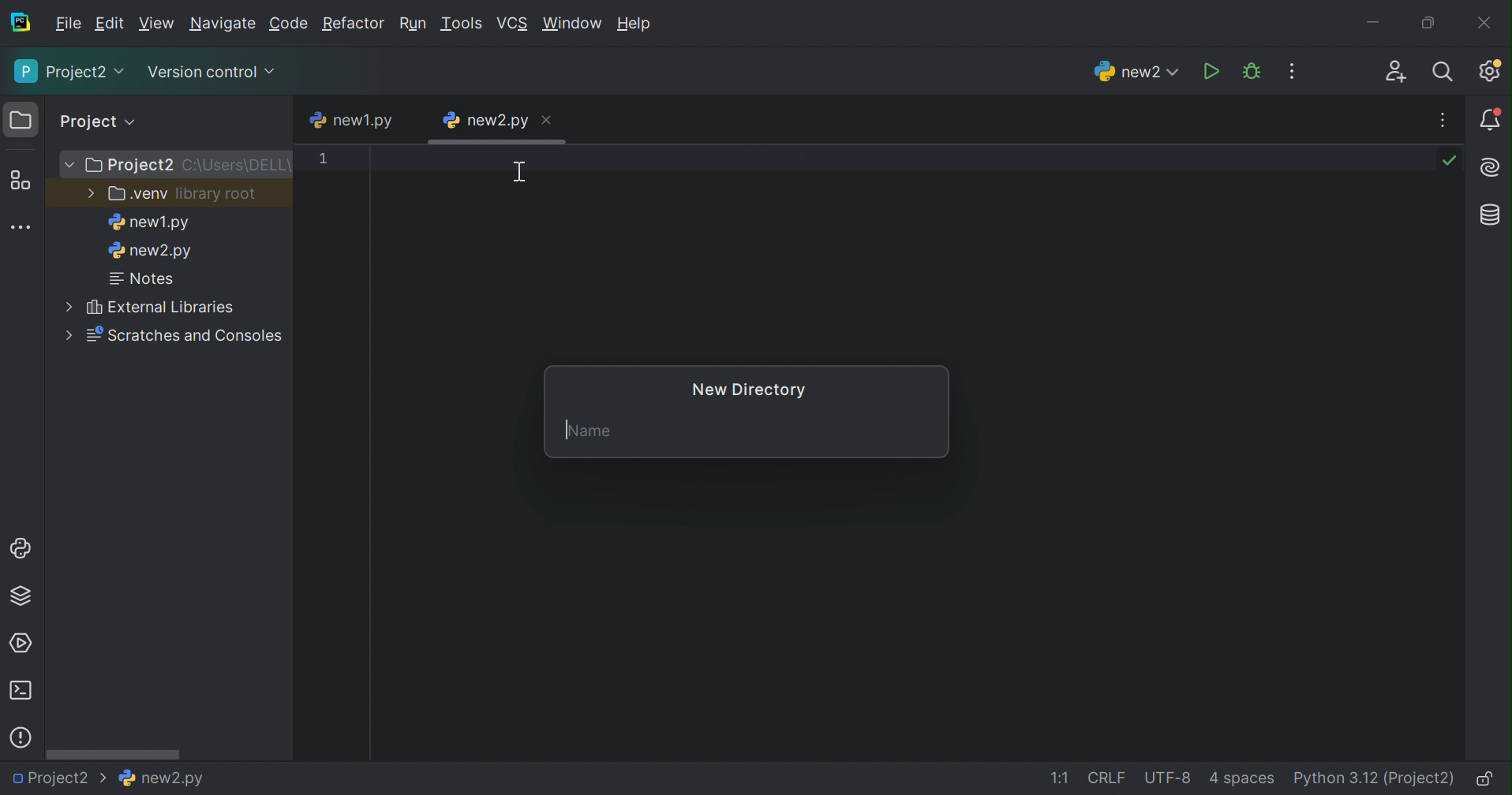  I want to click on library root, so click(218, 195).